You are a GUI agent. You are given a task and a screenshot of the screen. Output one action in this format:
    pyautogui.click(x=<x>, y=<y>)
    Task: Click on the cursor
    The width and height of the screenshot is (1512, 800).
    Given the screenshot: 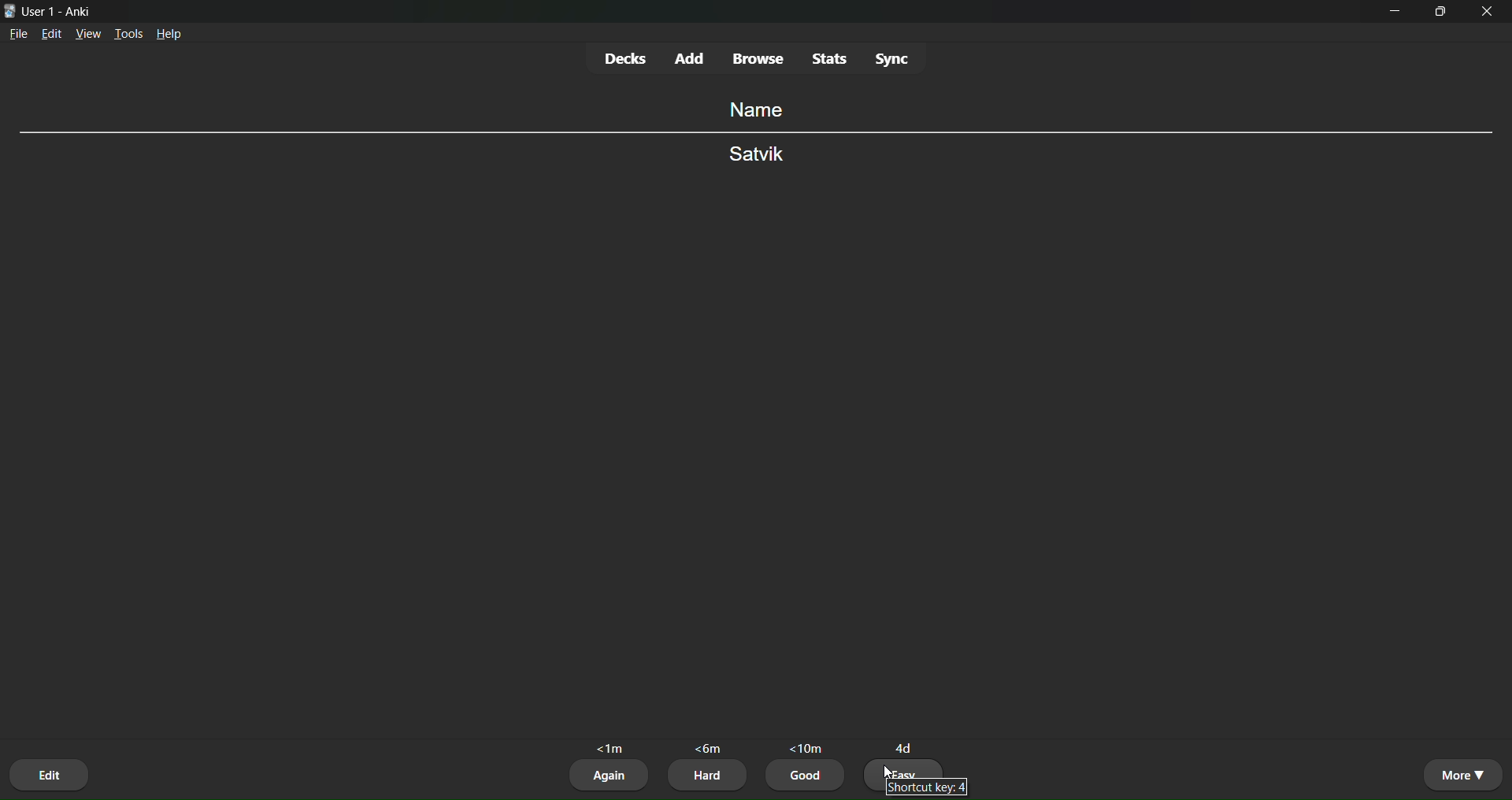 What is the action you would take?
    pyautogui.click(x=886, y=770)
    